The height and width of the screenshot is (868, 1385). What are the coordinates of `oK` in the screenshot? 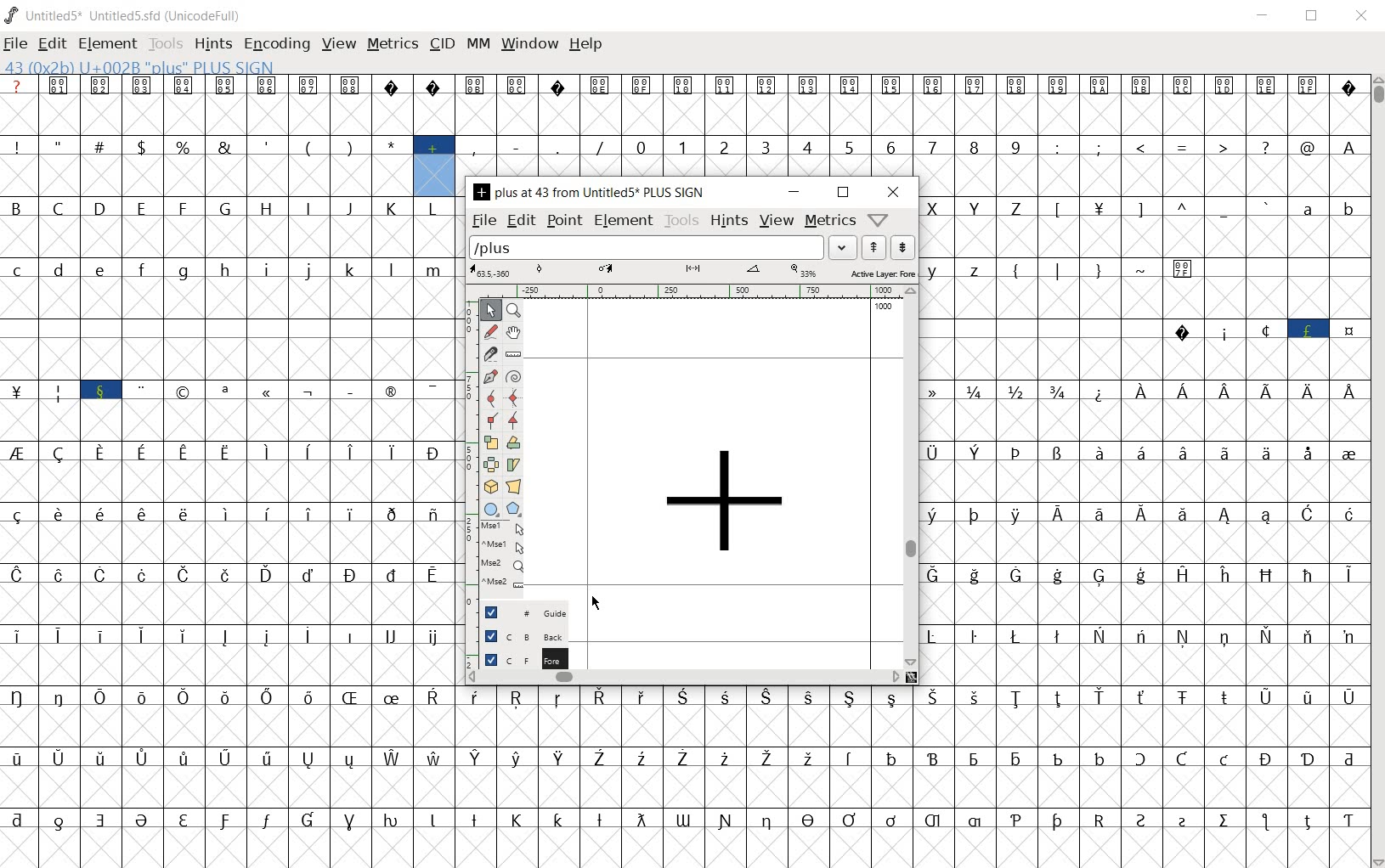 It's located at (1101, 410).